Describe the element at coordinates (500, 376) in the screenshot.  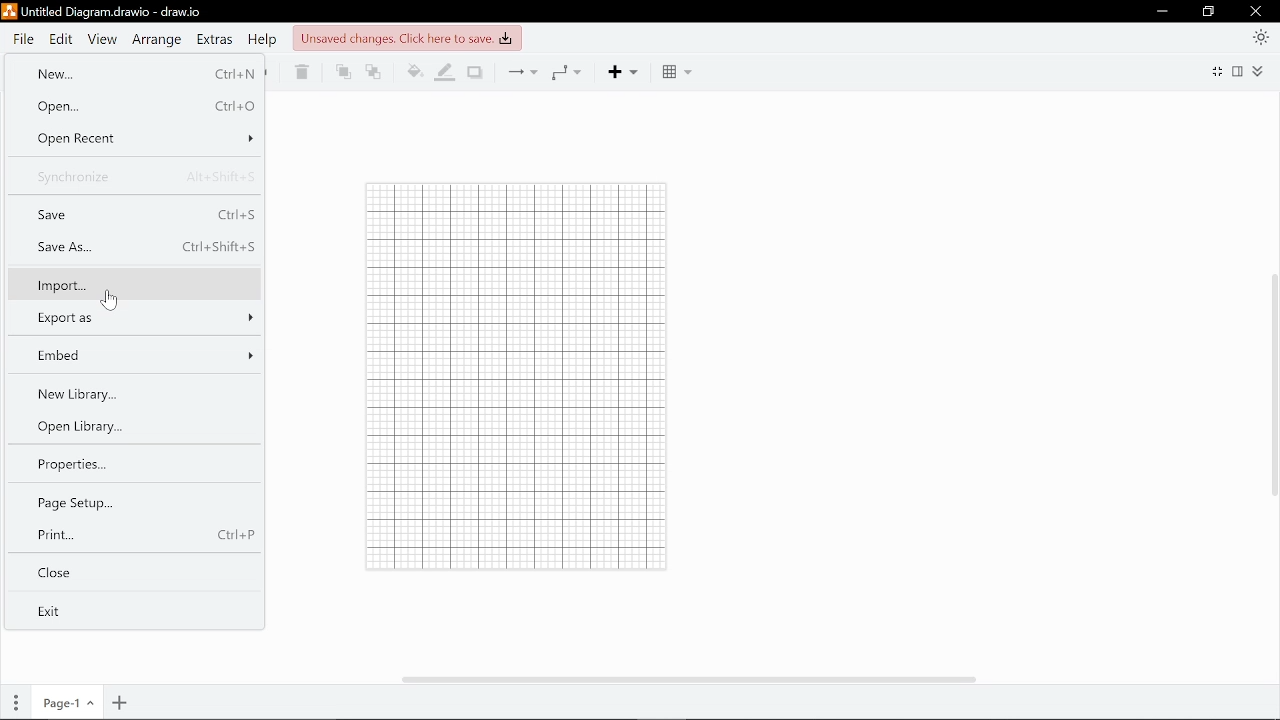
I see `Grid lines` at that location.